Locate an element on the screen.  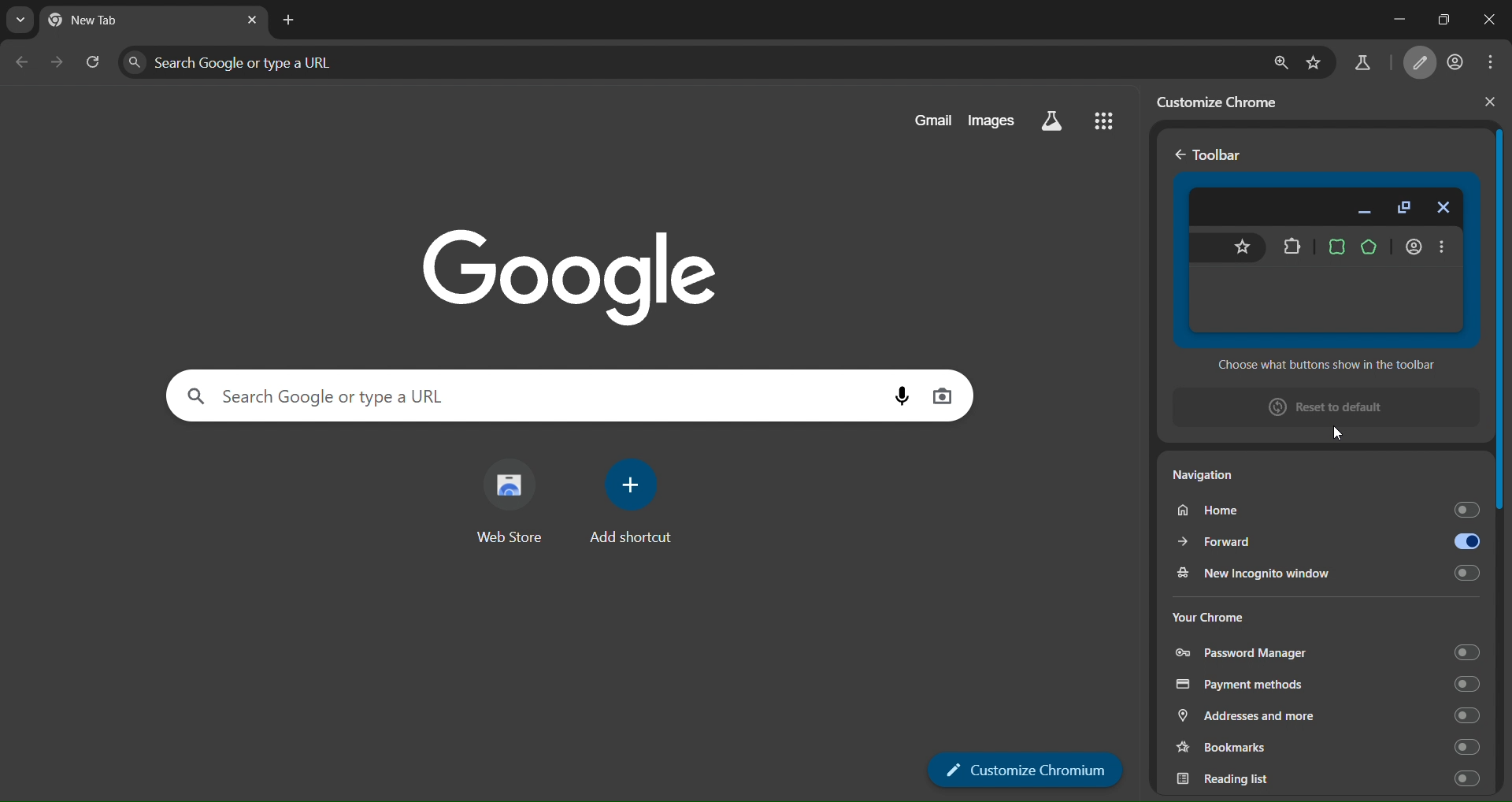
search labs is located at coordinates (1365, 63).